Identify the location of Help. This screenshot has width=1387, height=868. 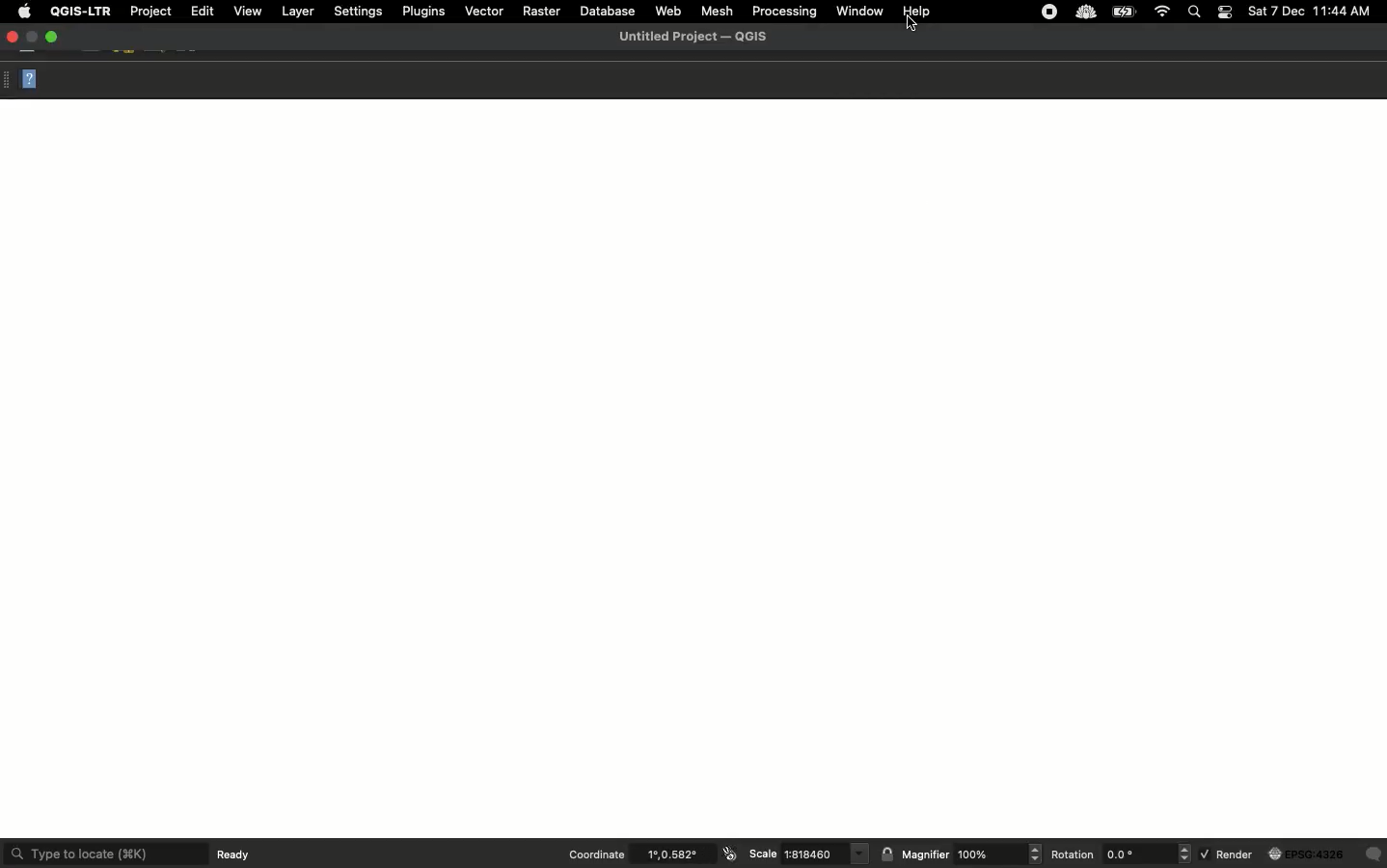
(920, 12).